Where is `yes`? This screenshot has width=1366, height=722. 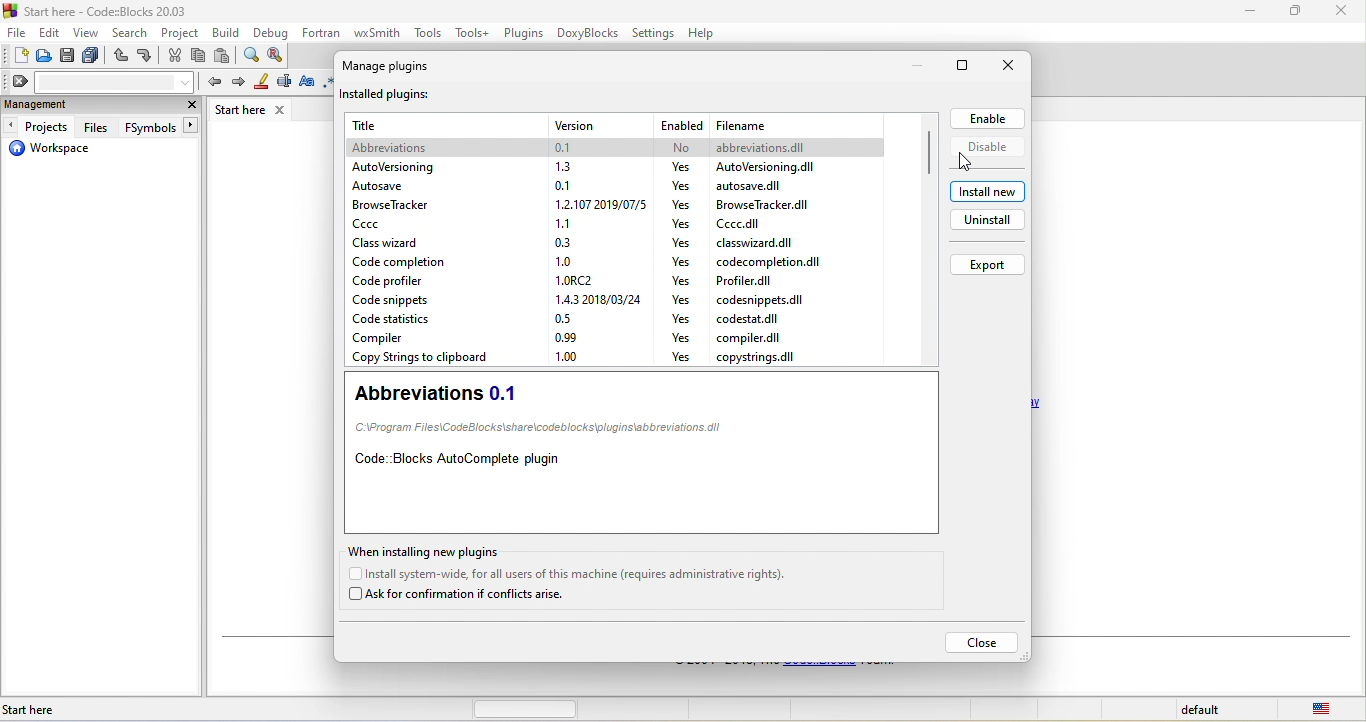 yes is located at coordinates (686, 186).